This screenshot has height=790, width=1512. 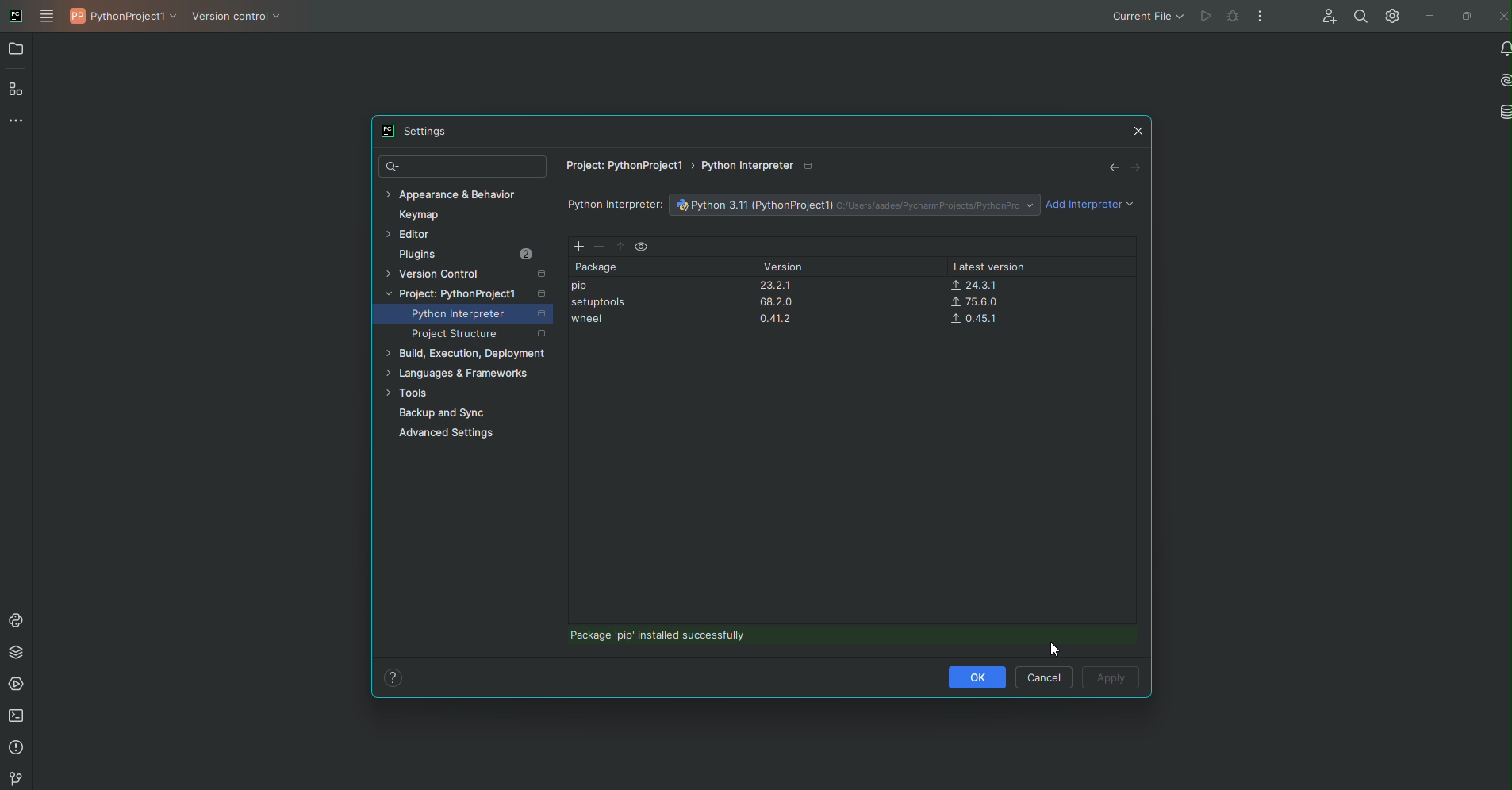 What do you see at coordinates (852, 204) in the screenshot?
I see `File name` at bounding box center [852, 204].